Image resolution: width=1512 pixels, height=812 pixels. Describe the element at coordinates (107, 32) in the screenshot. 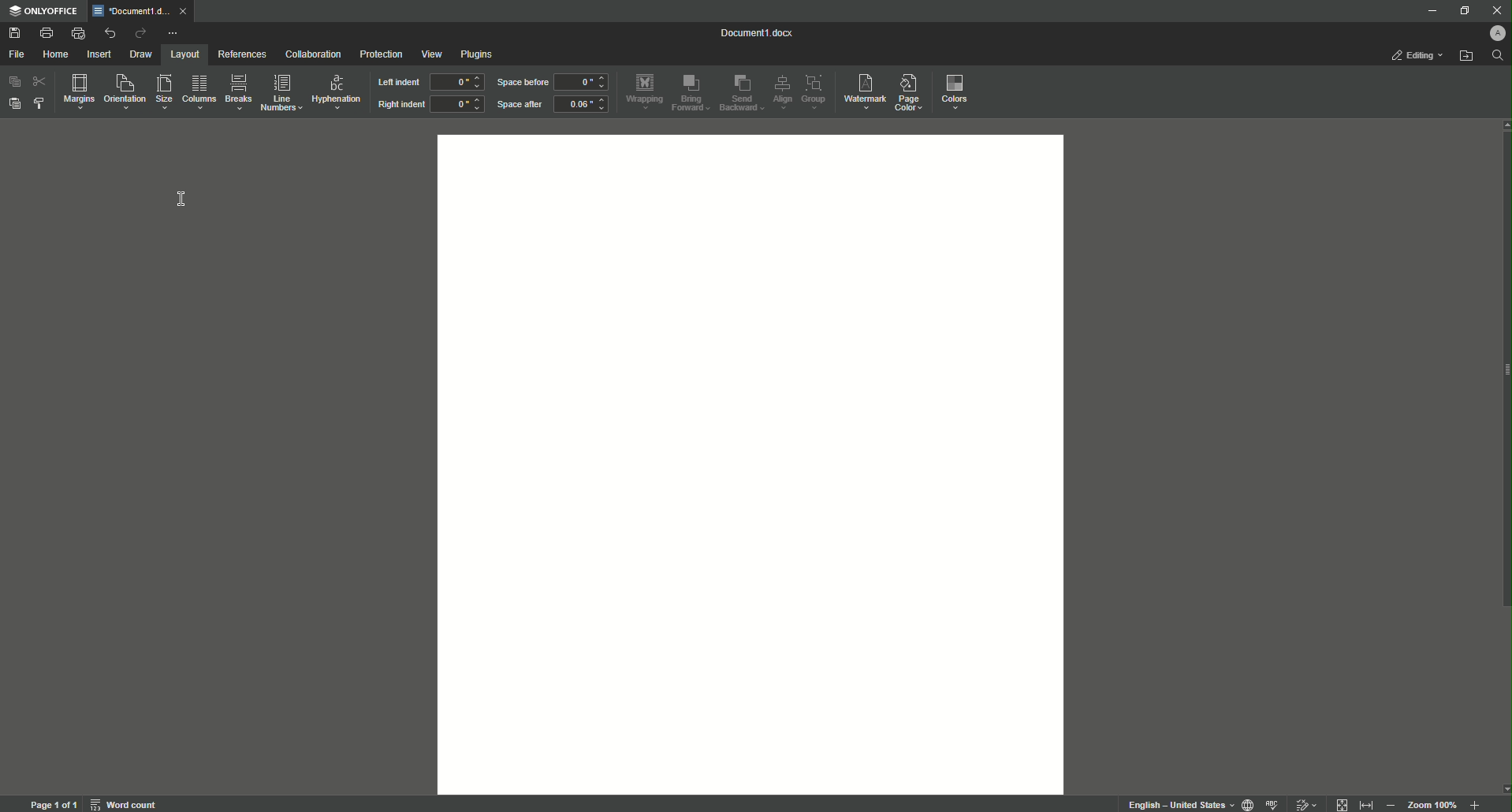

I see `Undo` at that location.